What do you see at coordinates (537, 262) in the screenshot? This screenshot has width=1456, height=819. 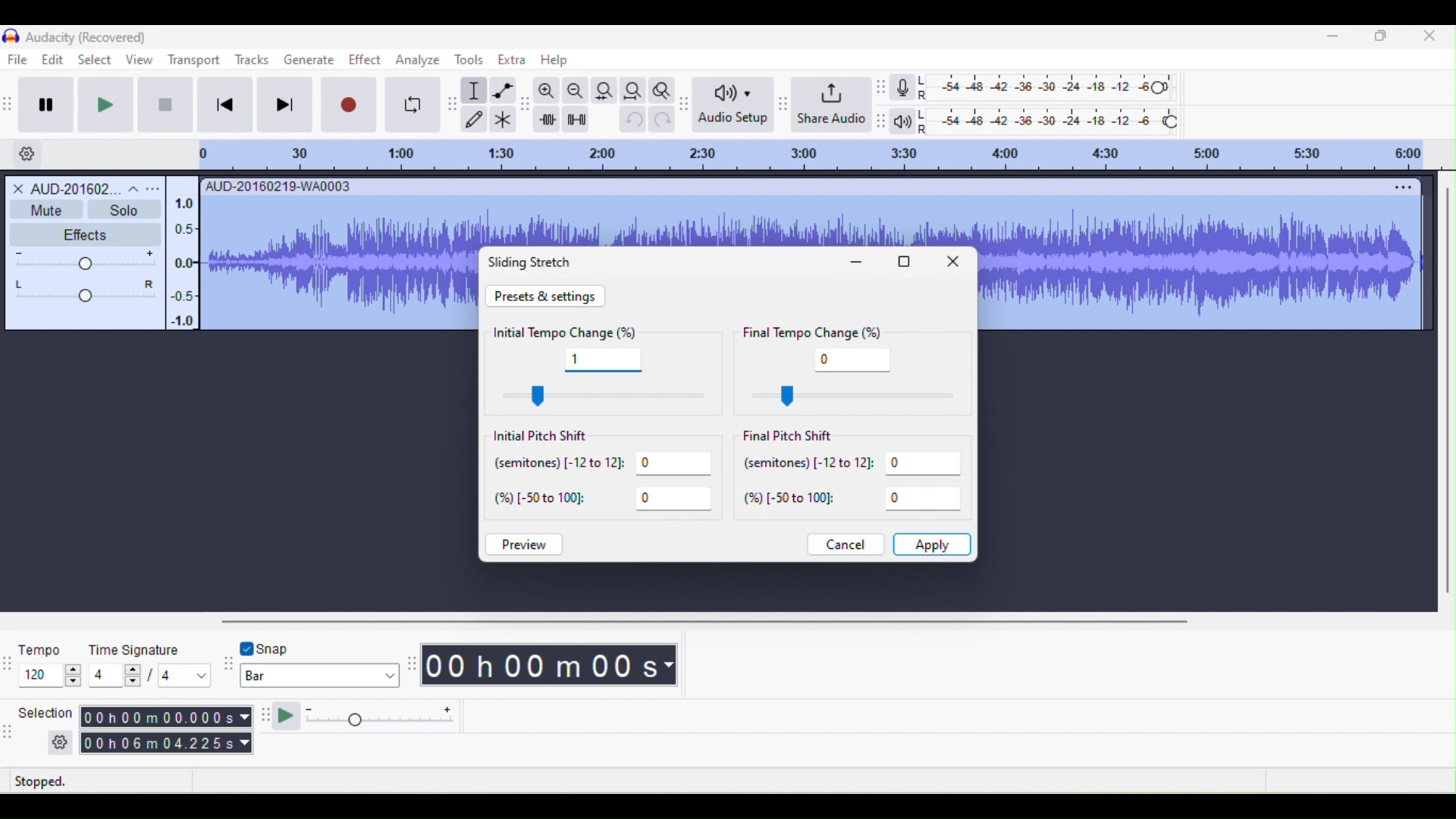 I see `sliding stretch` at bounding box center [537, 262].